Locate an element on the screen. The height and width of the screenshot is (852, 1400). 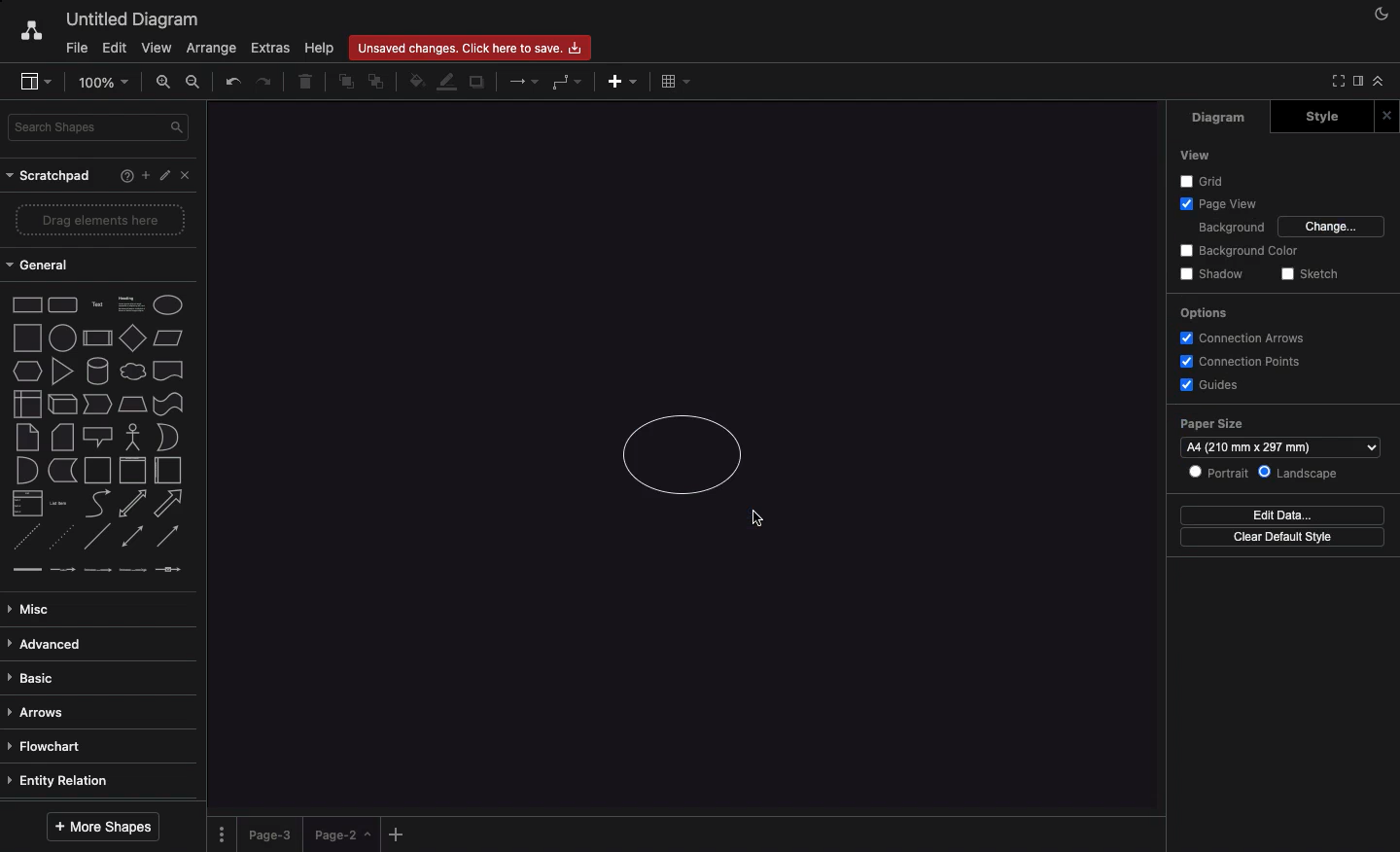
A4 (210 mm x 297 mm) is located at coordinates (1281, 446).